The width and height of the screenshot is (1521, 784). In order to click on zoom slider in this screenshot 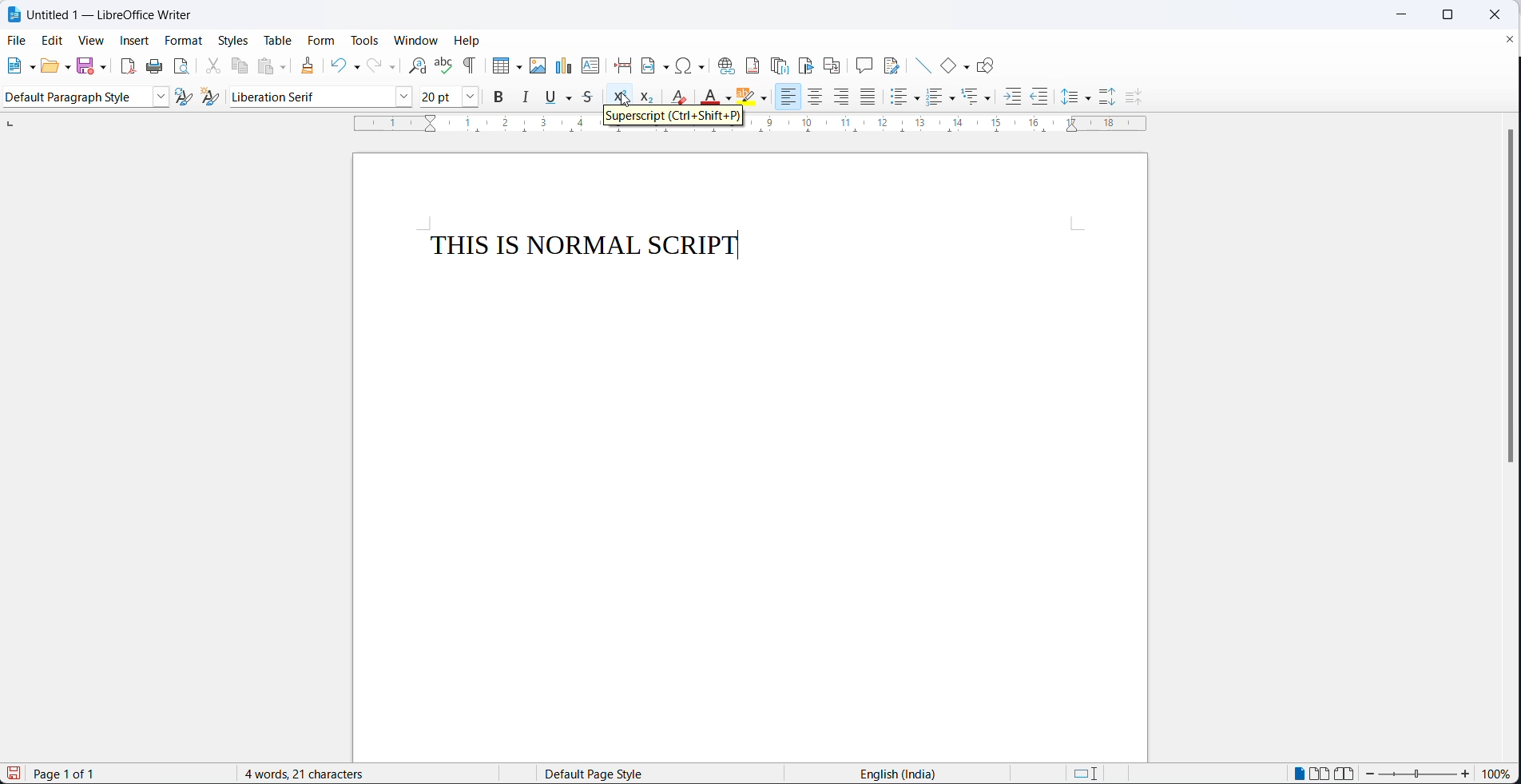, I will do `click(1419, 776)`.